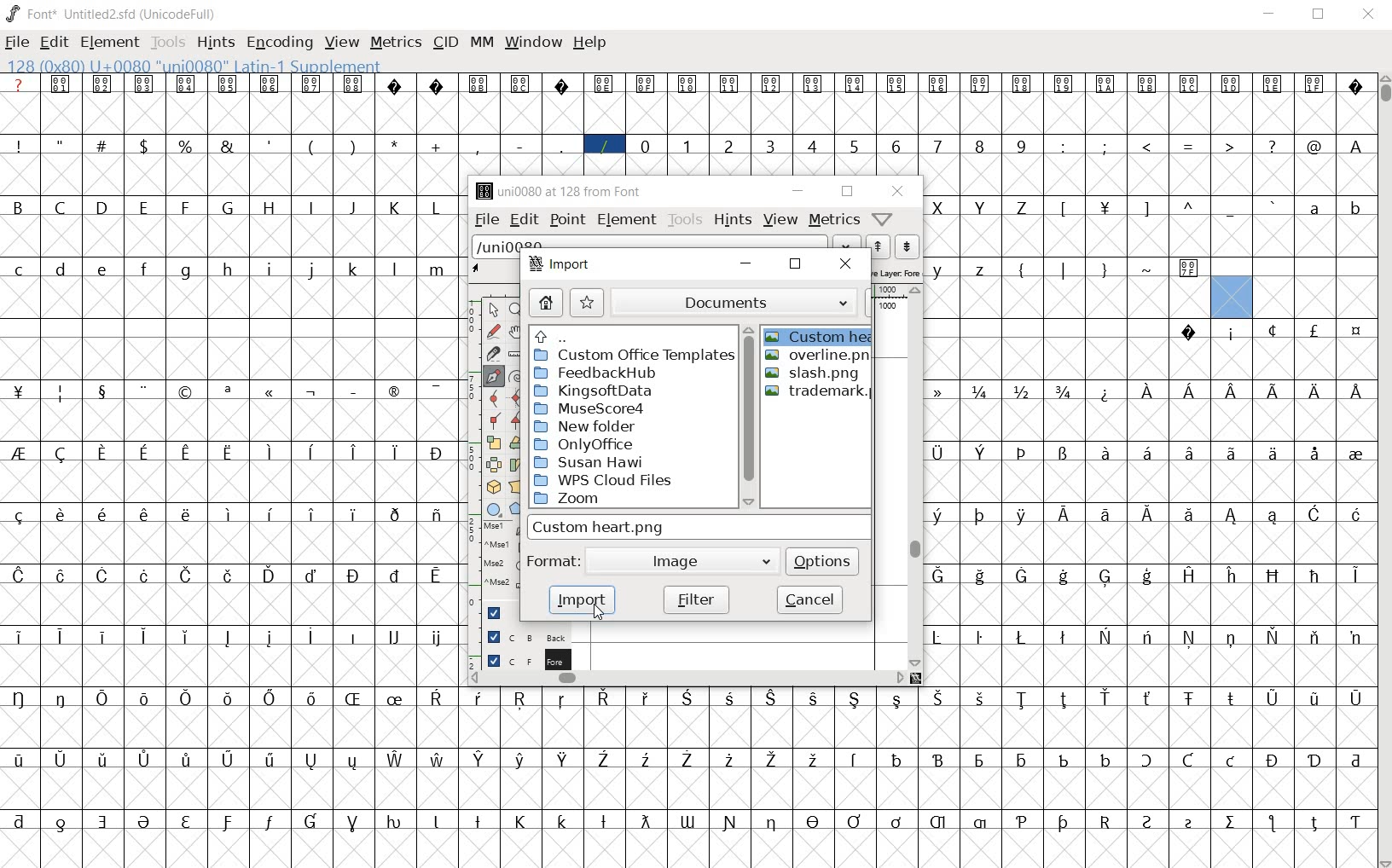 The width and height of the screenshot is (1392, 868). I want to click on glyph, so click(17, 206).